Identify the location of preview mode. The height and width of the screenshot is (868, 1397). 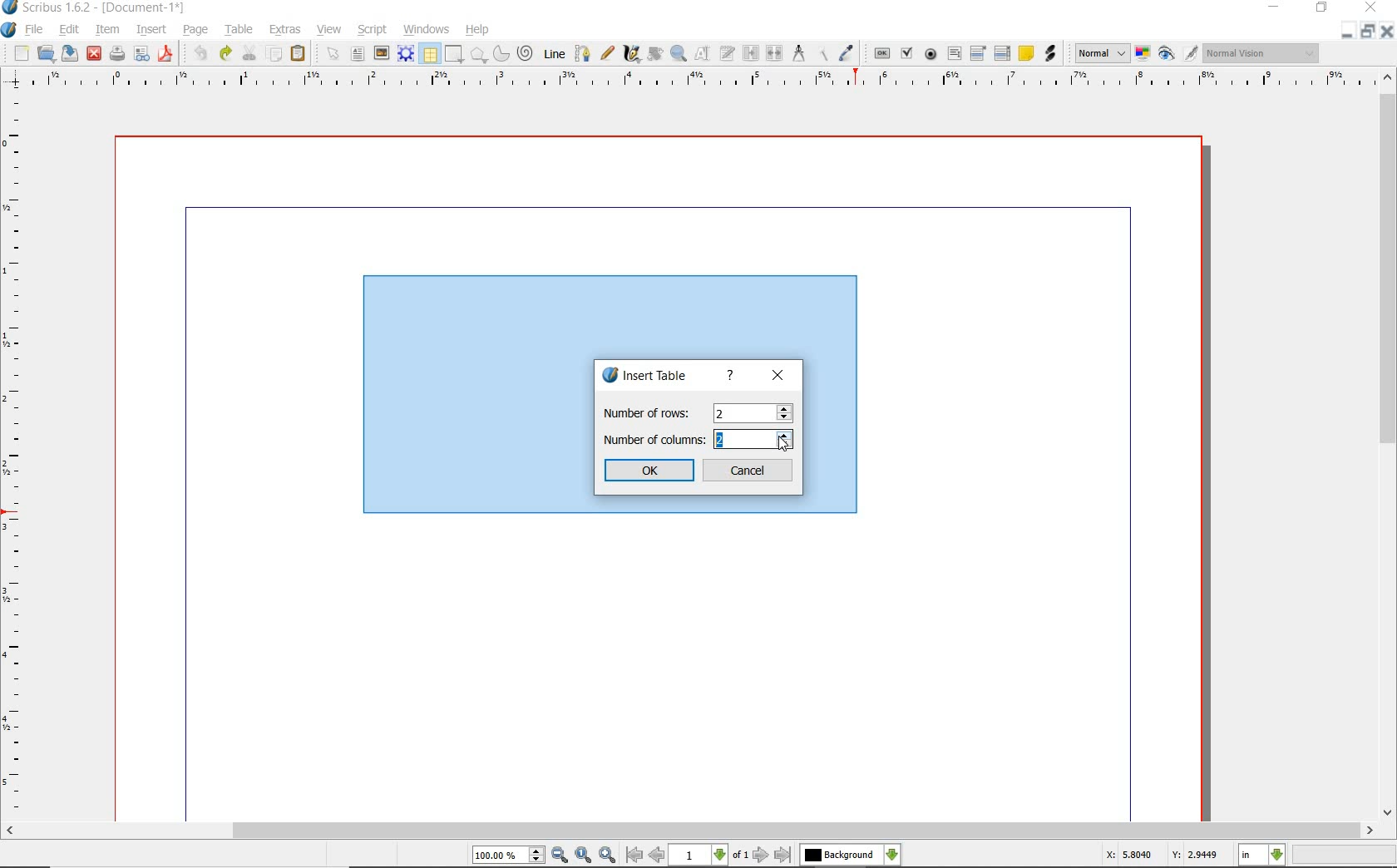
(1167, 55).